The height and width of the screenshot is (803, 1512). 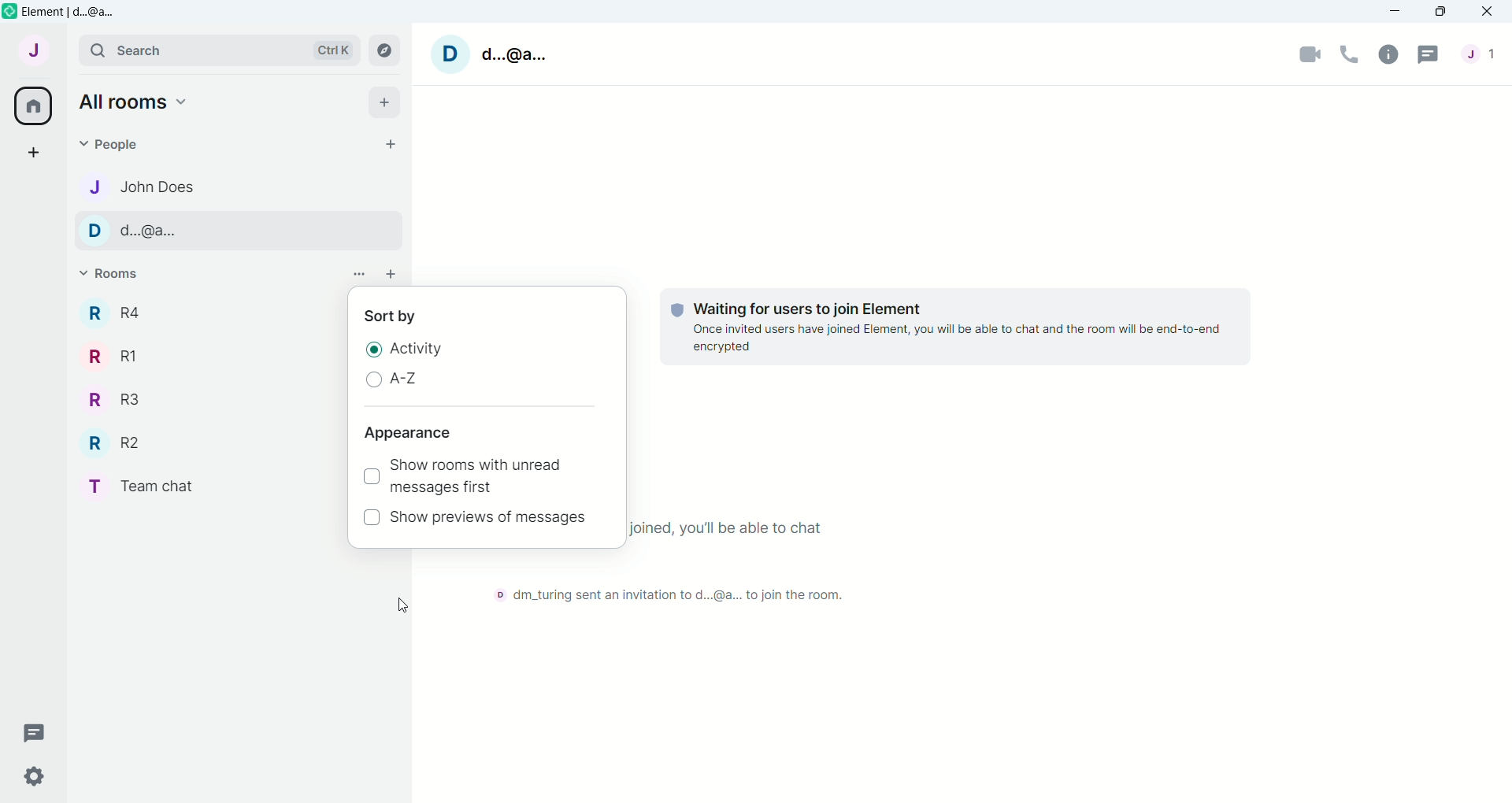 What do you see at coordinates (390, 52) in the screenshot?
I see `Explore Rooms` at bounding box center [390, 52].